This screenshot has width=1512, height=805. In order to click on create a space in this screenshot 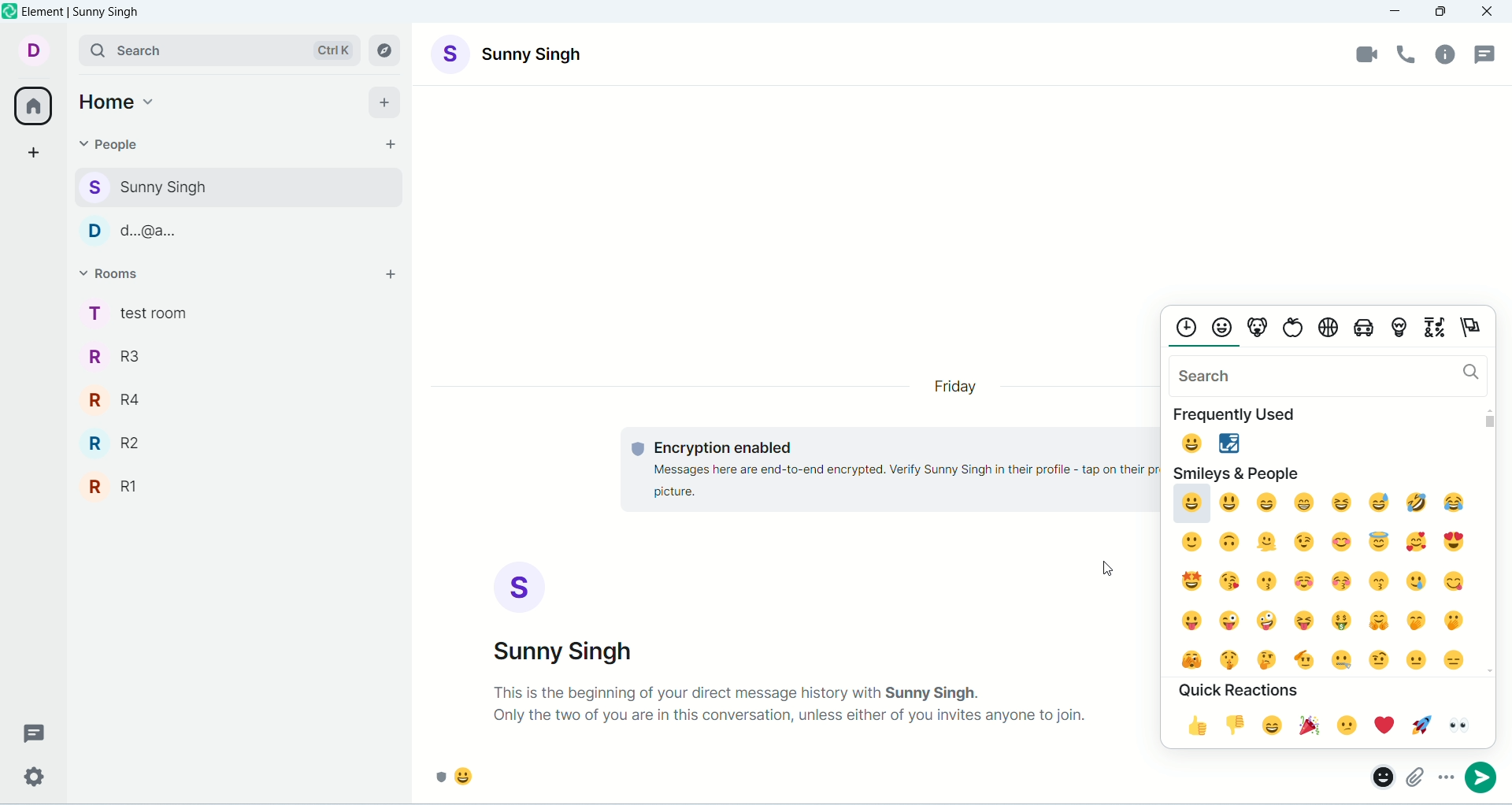, I will do `click(35, 154)`.